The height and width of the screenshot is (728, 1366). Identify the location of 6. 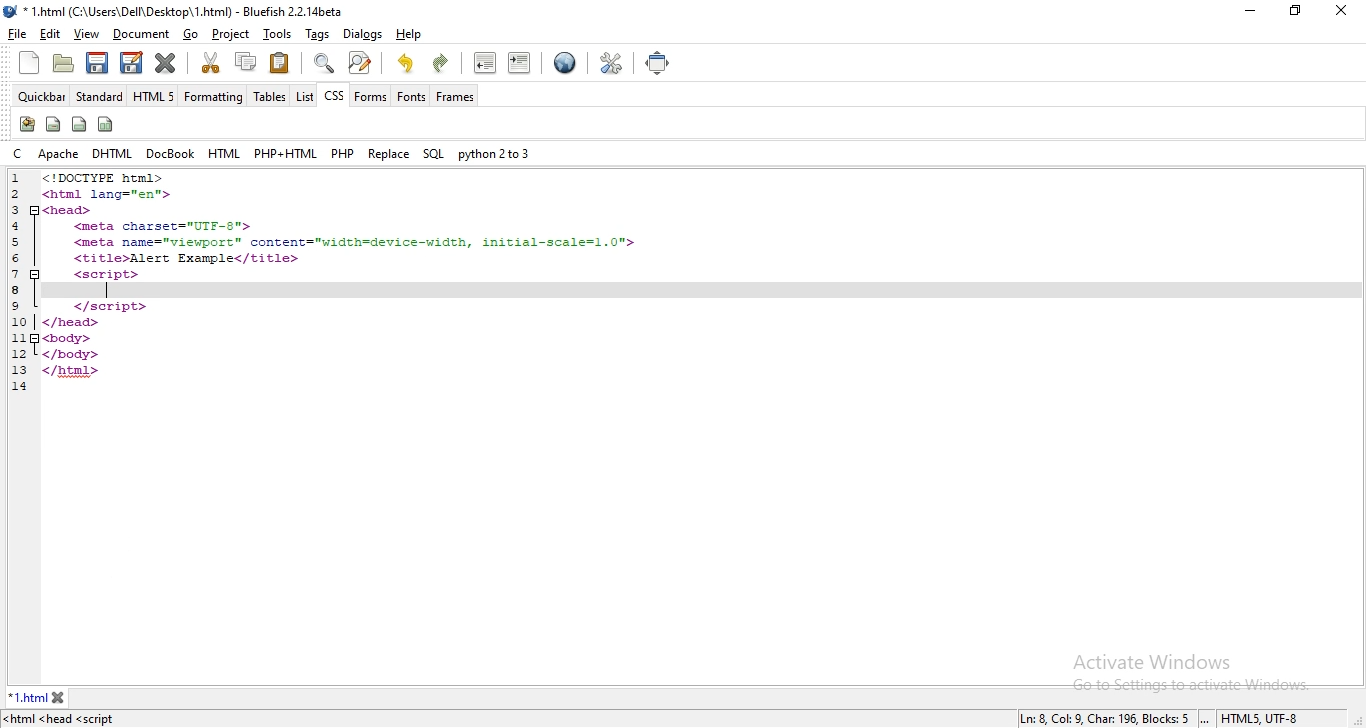
(18, 258).